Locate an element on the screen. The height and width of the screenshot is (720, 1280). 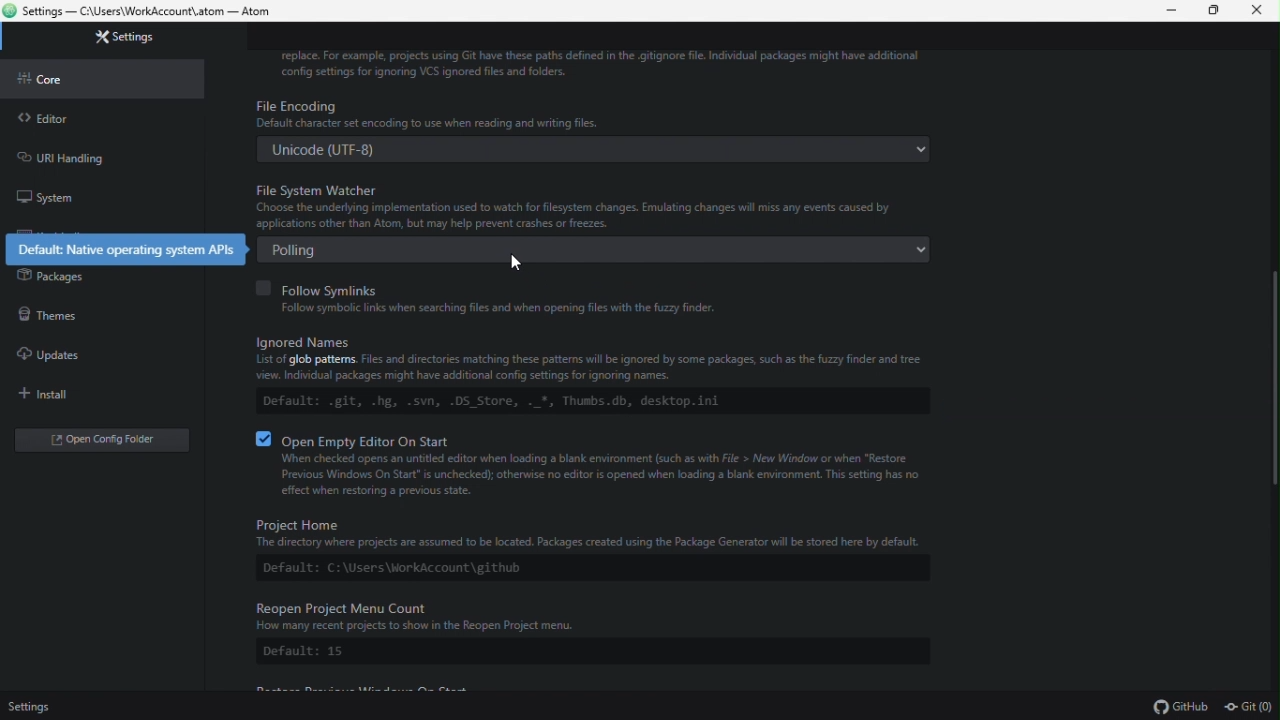
core is located at coordinates (103, 77).